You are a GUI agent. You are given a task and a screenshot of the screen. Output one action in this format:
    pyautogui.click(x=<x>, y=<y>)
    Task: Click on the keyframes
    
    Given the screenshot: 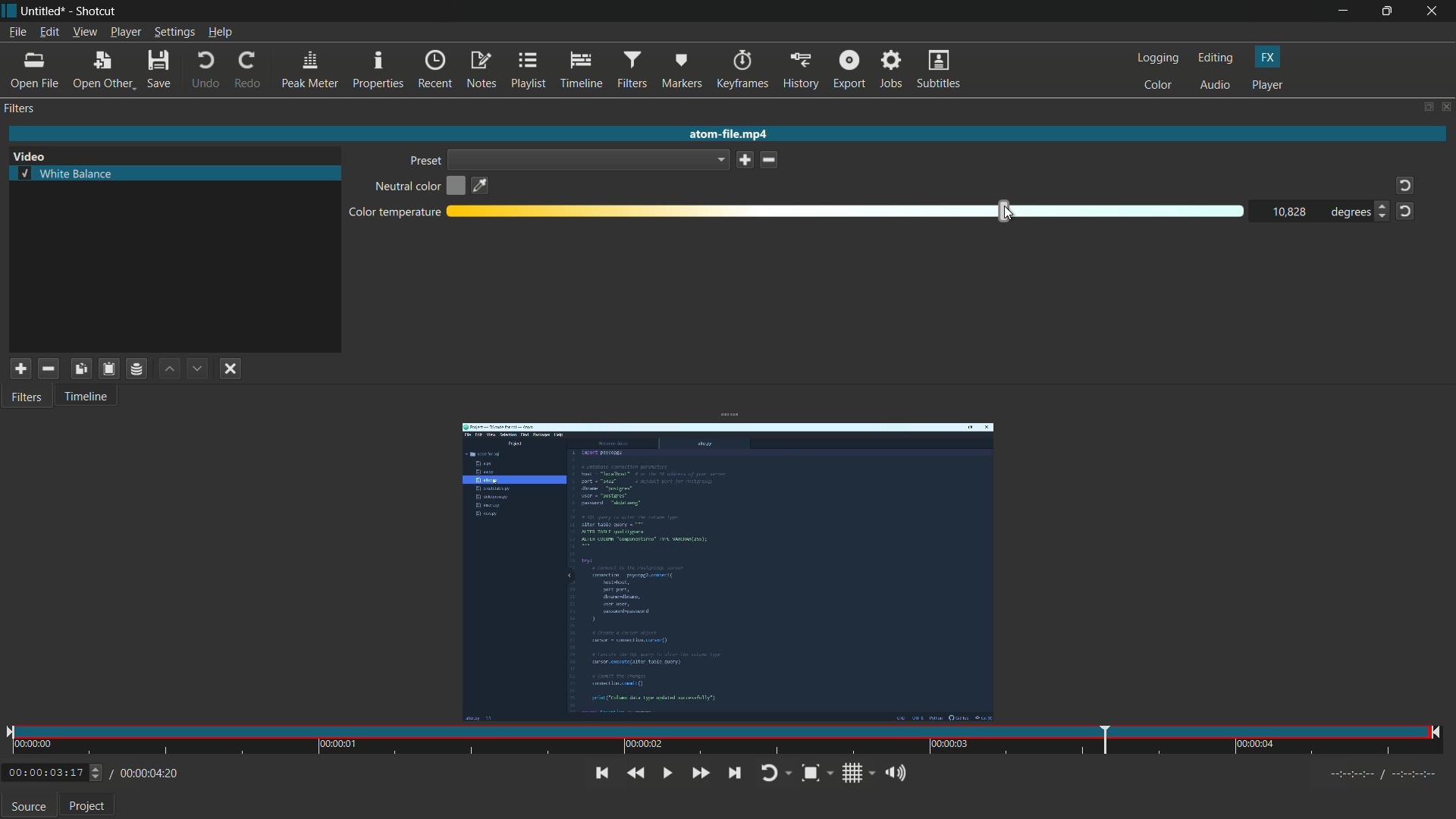 What is the action you would take?
    pyautogui.click(x=743, y=69)
    